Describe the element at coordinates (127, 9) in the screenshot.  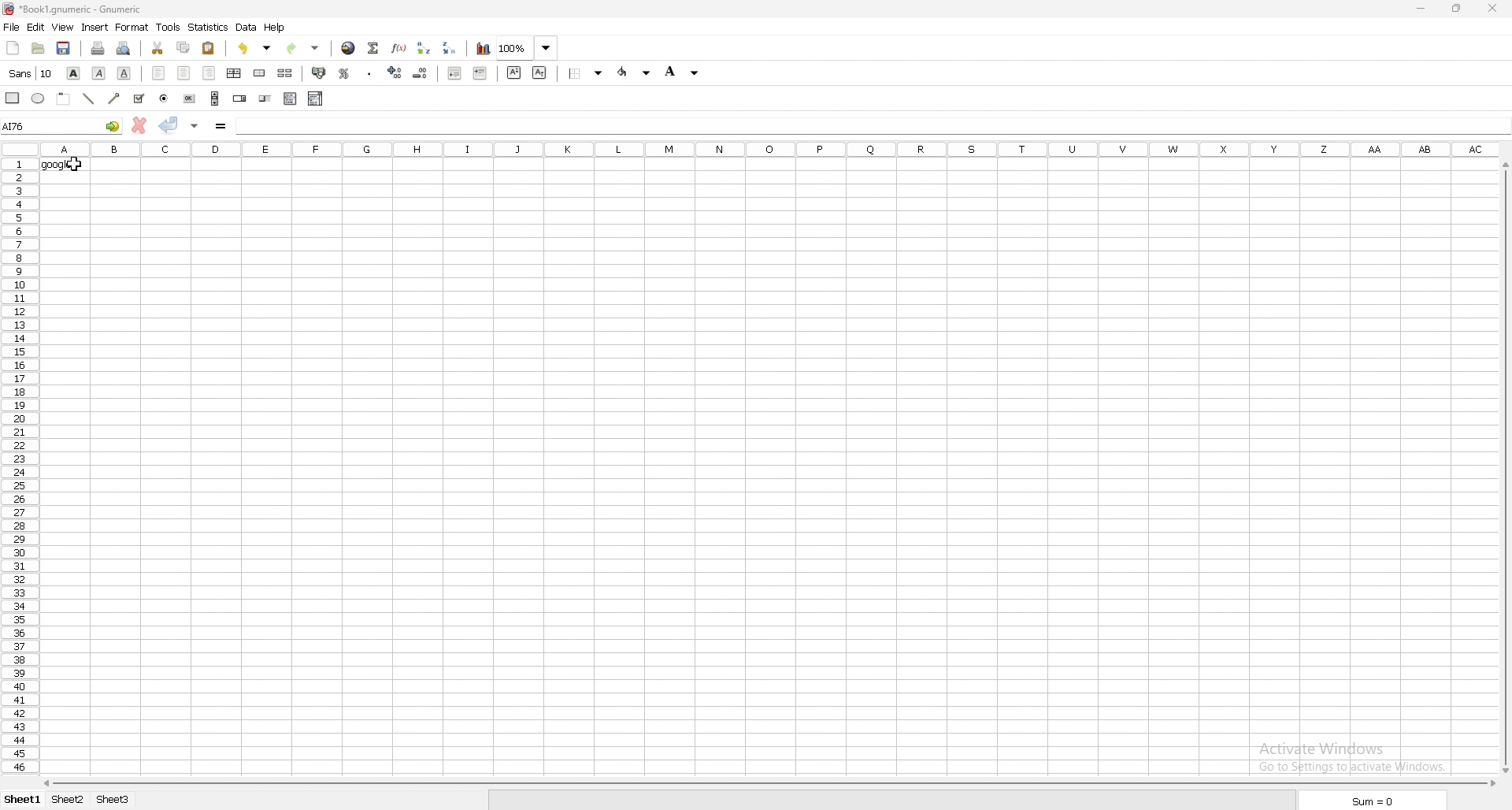
I see `file name` at that location.